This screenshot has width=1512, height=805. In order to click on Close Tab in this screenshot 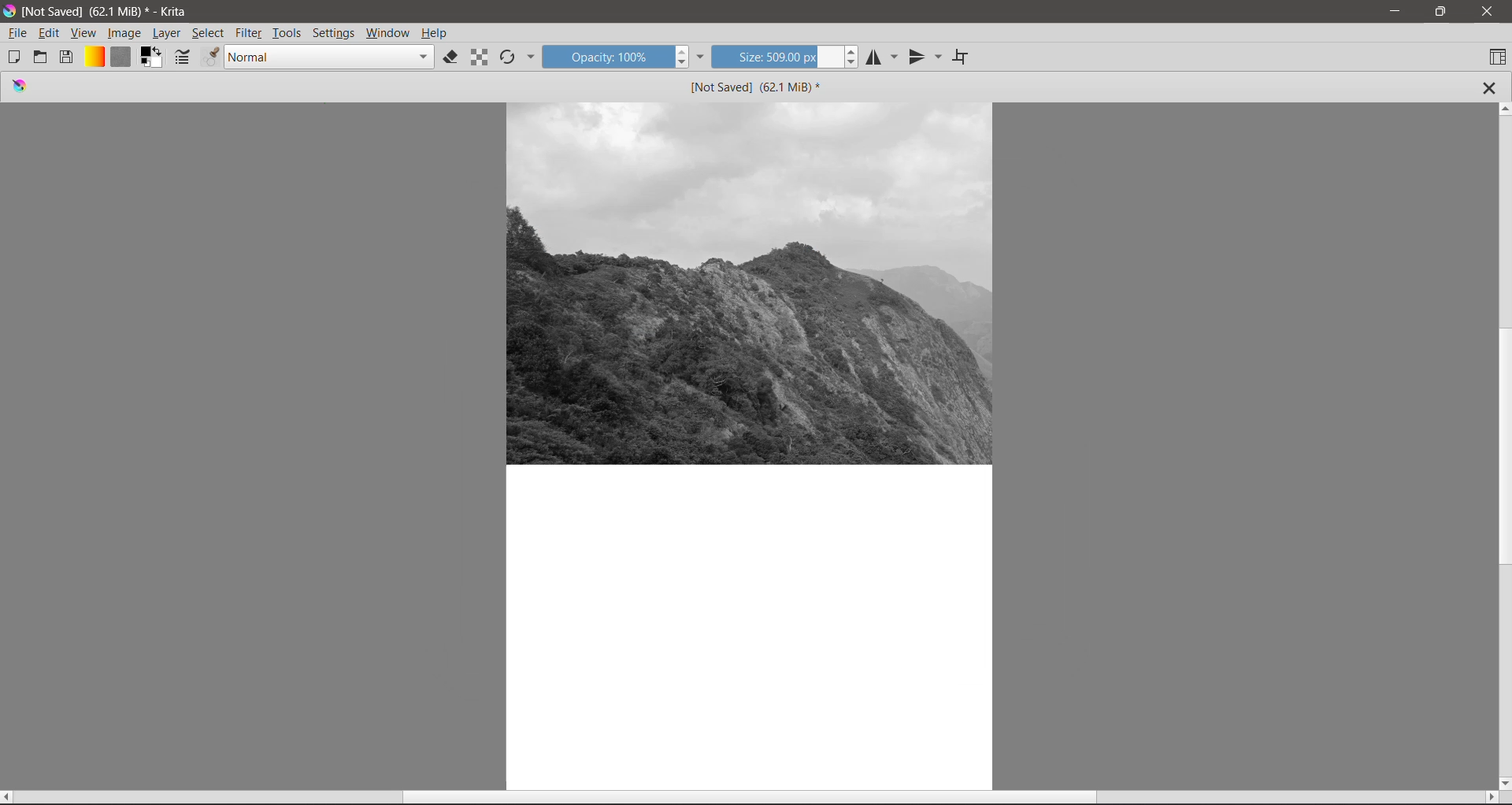, I will do `click(1490, 87)`.